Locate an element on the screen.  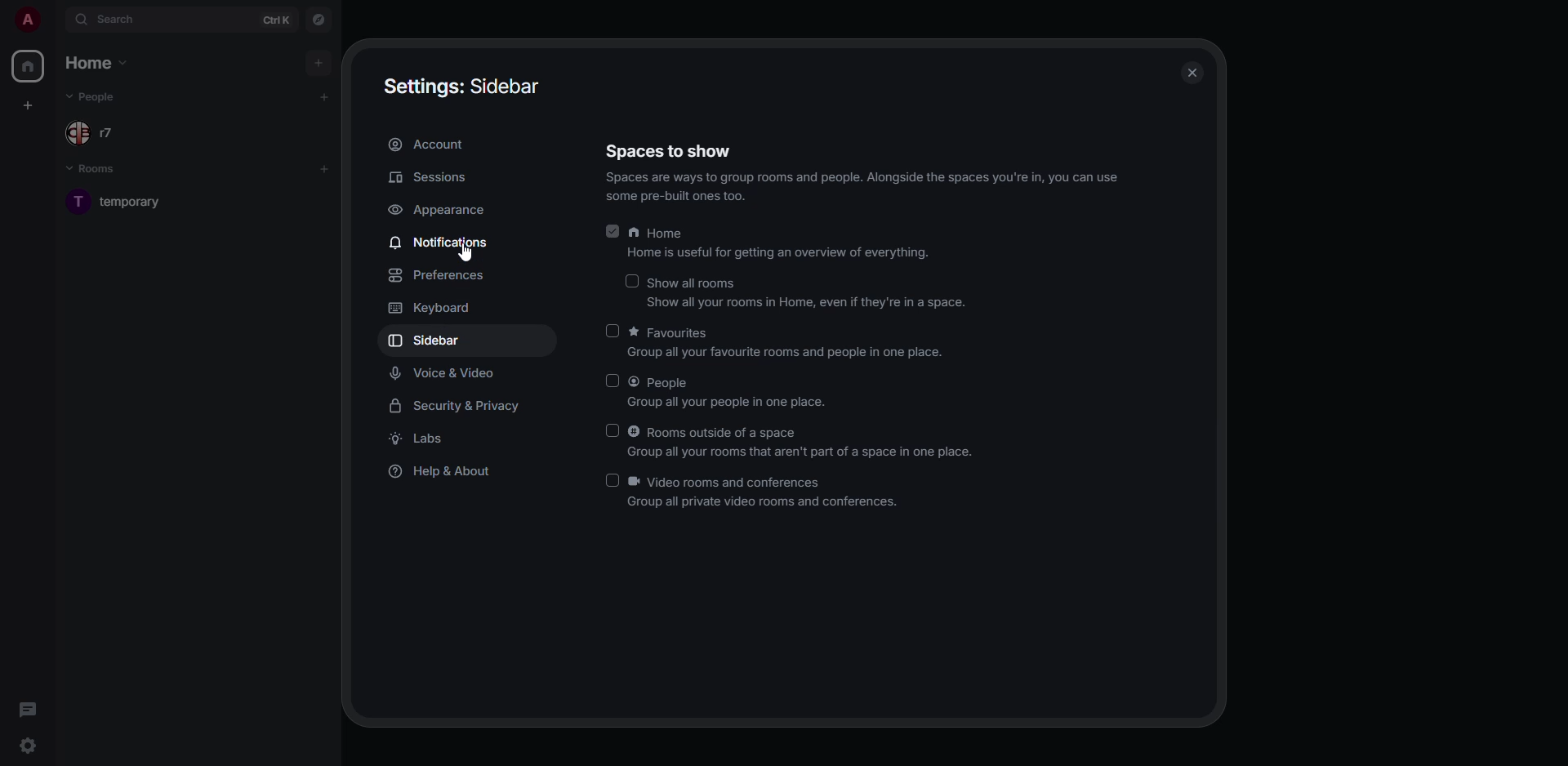
spaces to show is located at coordinates (669, 150).